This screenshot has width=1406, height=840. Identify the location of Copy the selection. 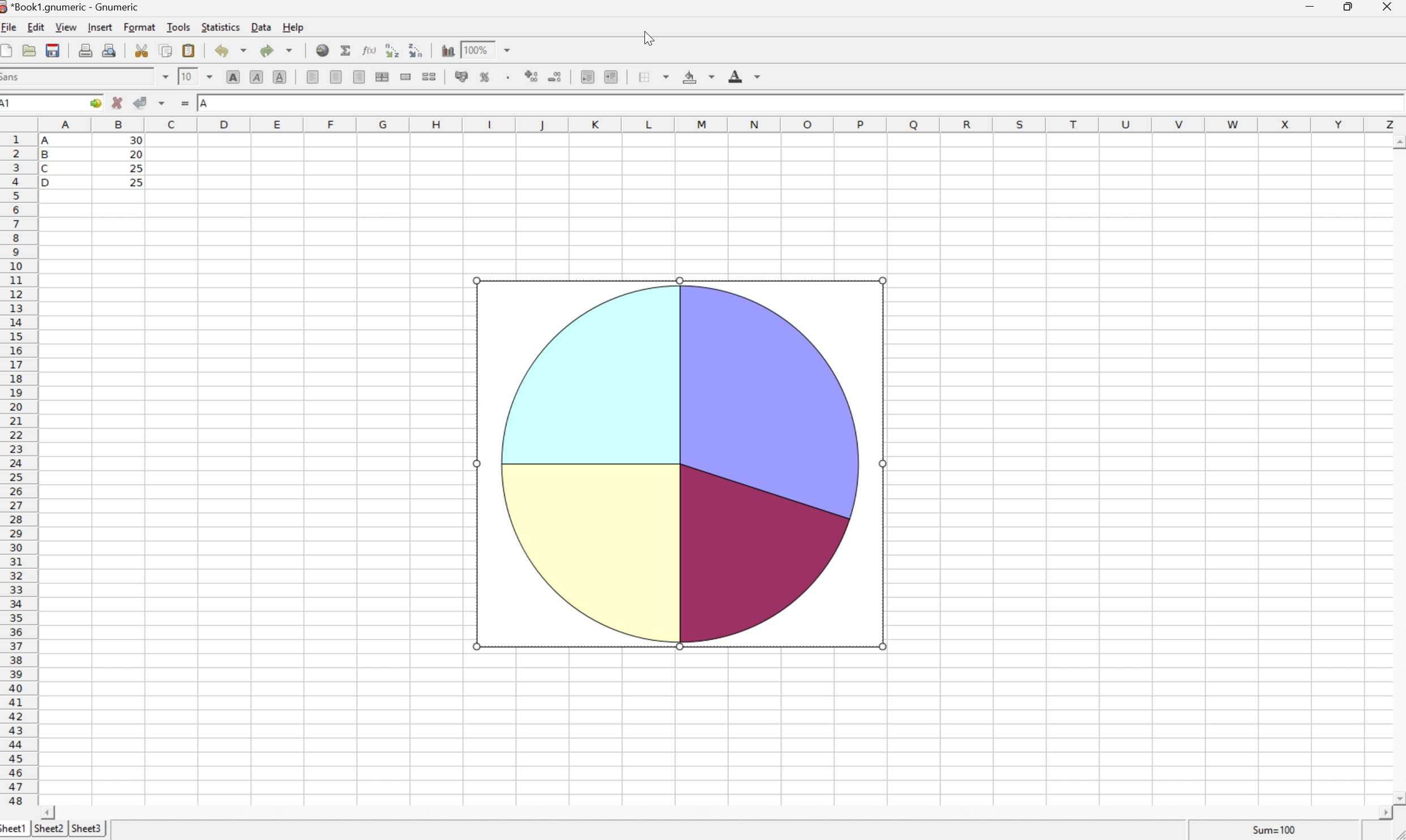
(166, 52).